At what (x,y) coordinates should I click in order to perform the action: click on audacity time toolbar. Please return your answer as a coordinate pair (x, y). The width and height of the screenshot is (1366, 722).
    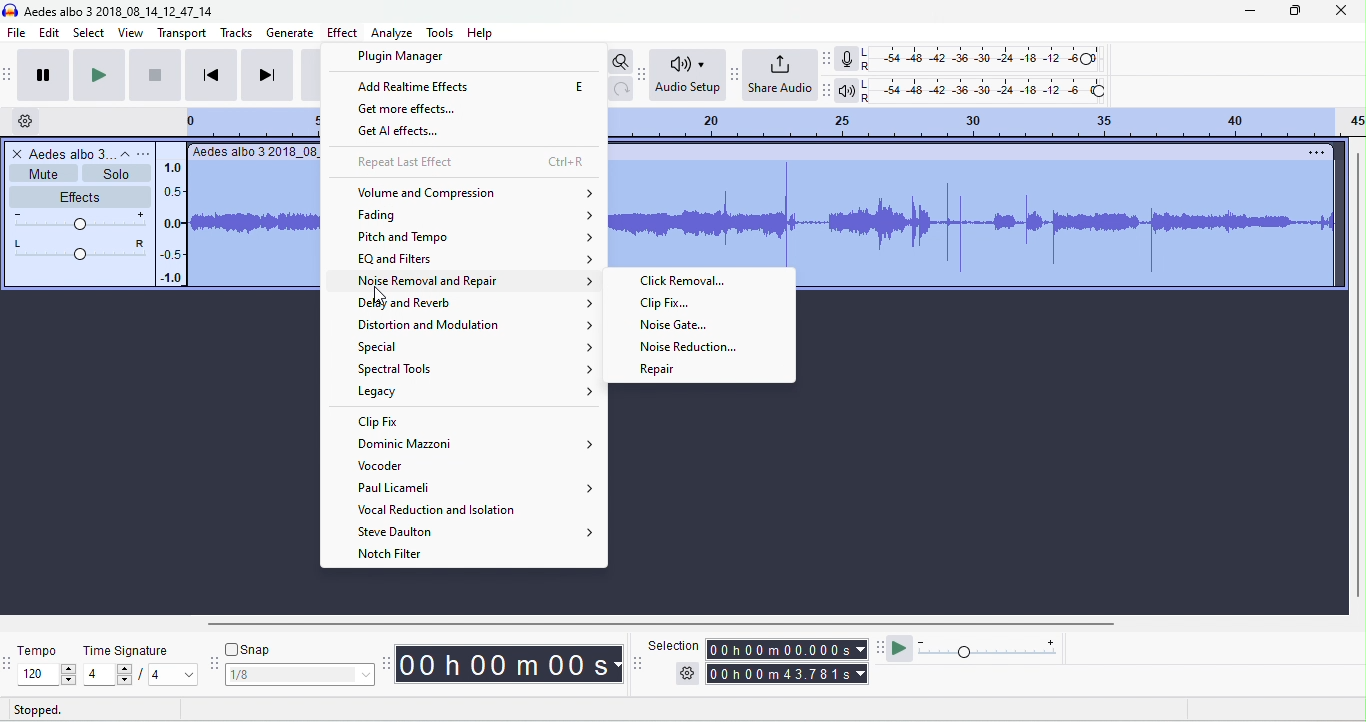
    Looking at the image, I should click on (386, 662).